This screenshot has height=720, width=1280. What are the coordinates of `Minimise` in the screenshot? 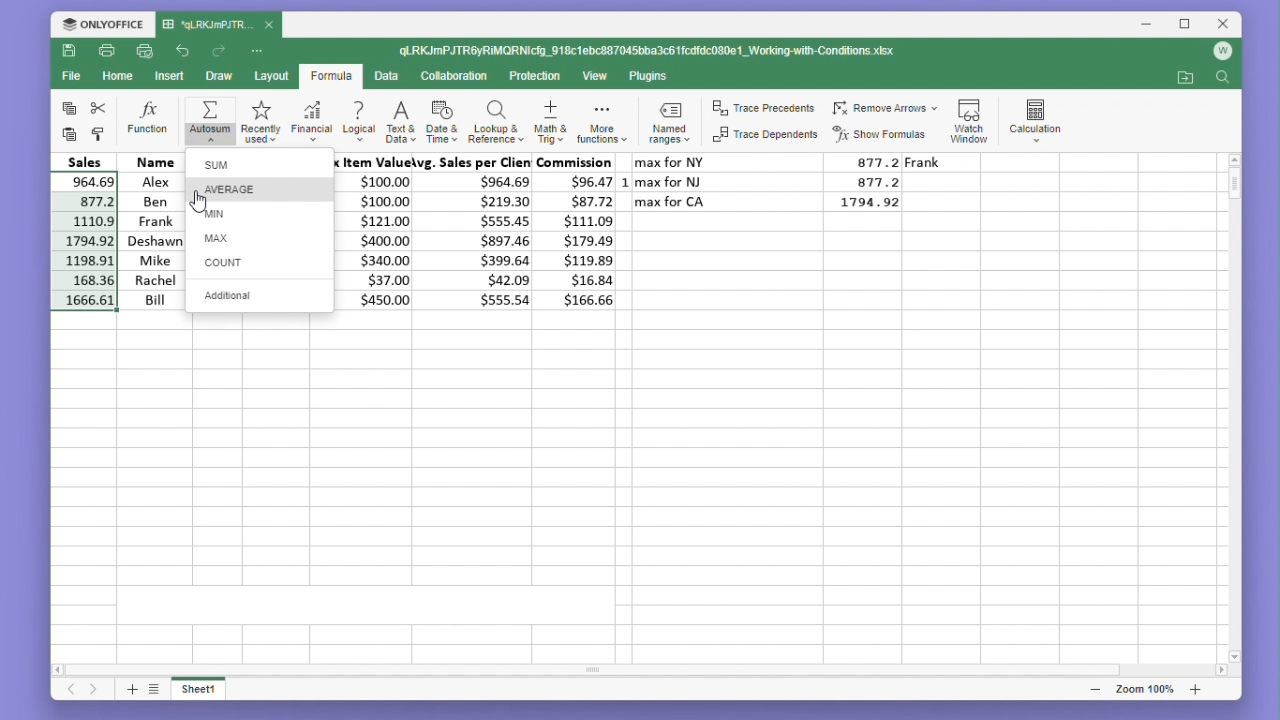 It's located at (1147, 25).